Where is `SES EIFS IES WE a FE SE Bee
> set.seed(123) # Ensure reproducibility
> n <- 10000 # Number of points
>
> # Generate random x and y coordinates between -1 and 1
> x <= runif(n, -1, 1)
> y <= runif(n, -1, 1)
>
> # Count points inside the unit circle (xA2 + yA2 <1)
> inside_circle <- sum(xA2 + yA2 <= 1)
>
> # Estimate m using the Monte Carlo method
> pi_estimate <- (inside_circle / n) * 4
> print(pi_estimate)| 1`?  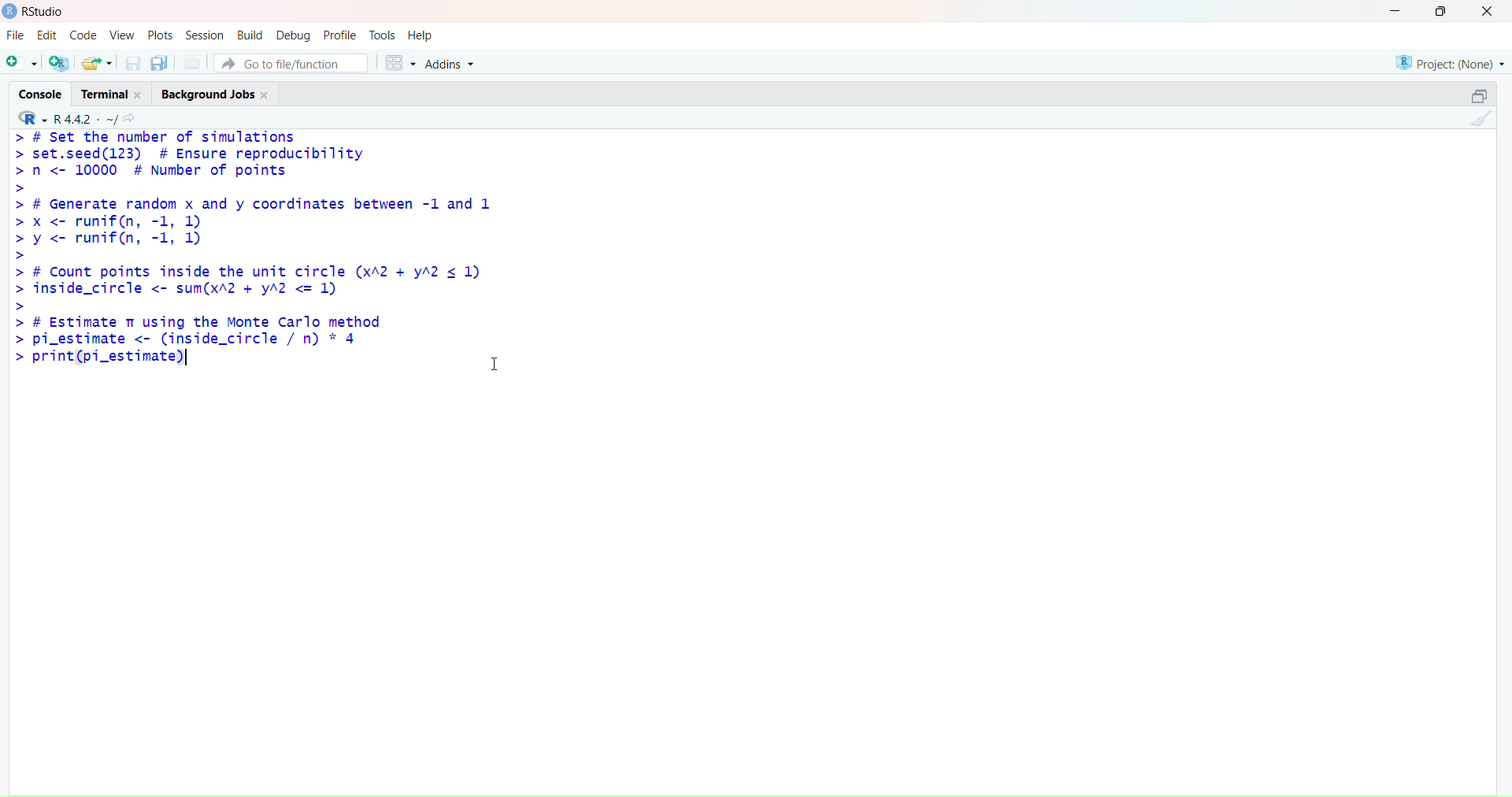
SES EIFS IES WE a FE SE Bee
> set.seed(123) # Ensure reproducibility
> n <- 10000 # Number of points
>
> # Generate random x and y coordinates between -1 and 1
> x <= runif(n, -1, 1)
> y <= runif(n, -1, 1)
>
> # Count points inside the unit circle (xA2 + yA2 <1)
> inside_circle <- sum(xA2 + yA2 <= 1)
>
> # Estimate m using the Monte Carlo method
> pi_estimate <- (inside_circle / n) * 4
> print(pi_estimate)| 1 is located at coordinates (270, 261).